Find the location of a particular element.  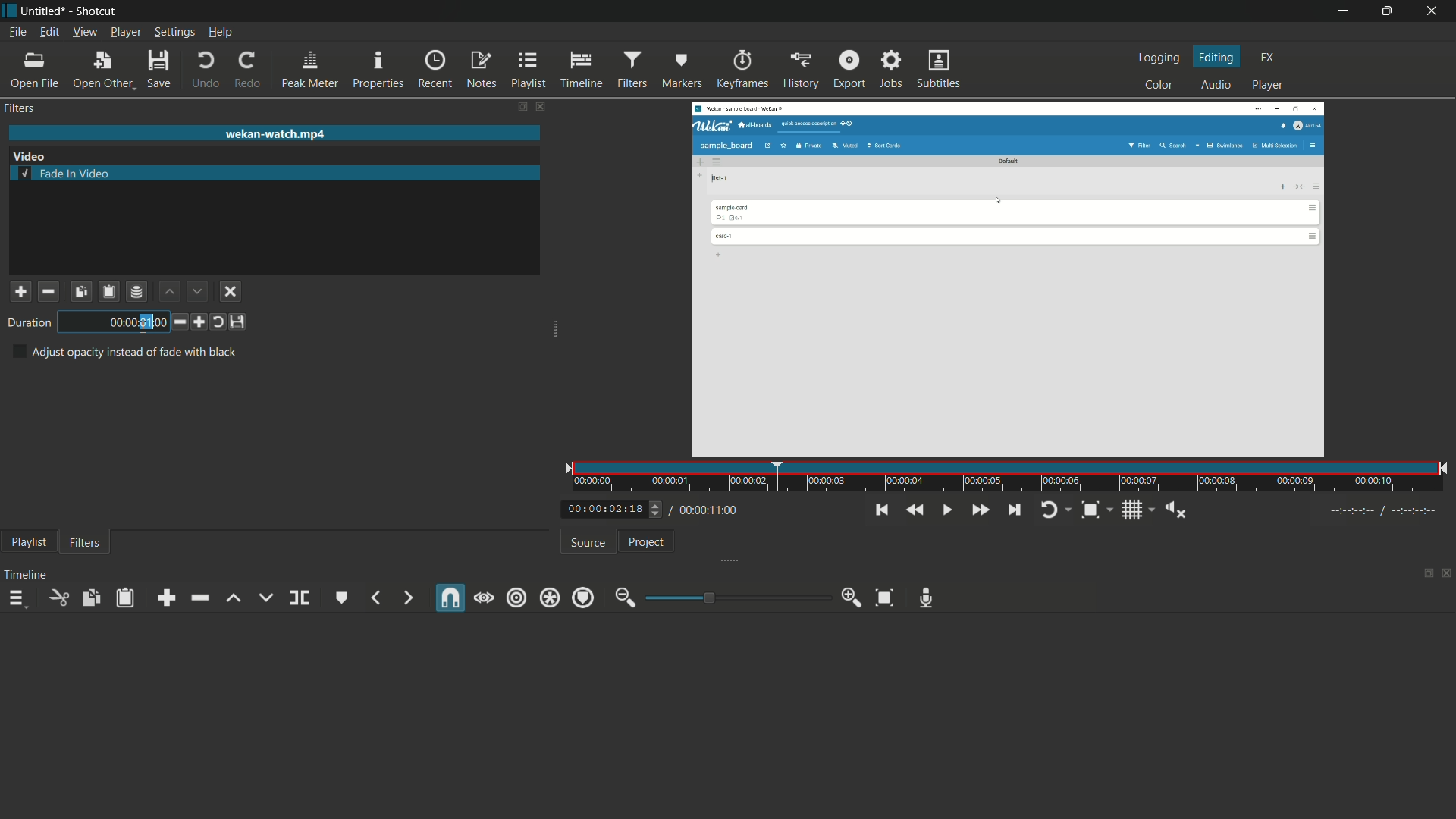

lift is located at coordinates (234, 598).